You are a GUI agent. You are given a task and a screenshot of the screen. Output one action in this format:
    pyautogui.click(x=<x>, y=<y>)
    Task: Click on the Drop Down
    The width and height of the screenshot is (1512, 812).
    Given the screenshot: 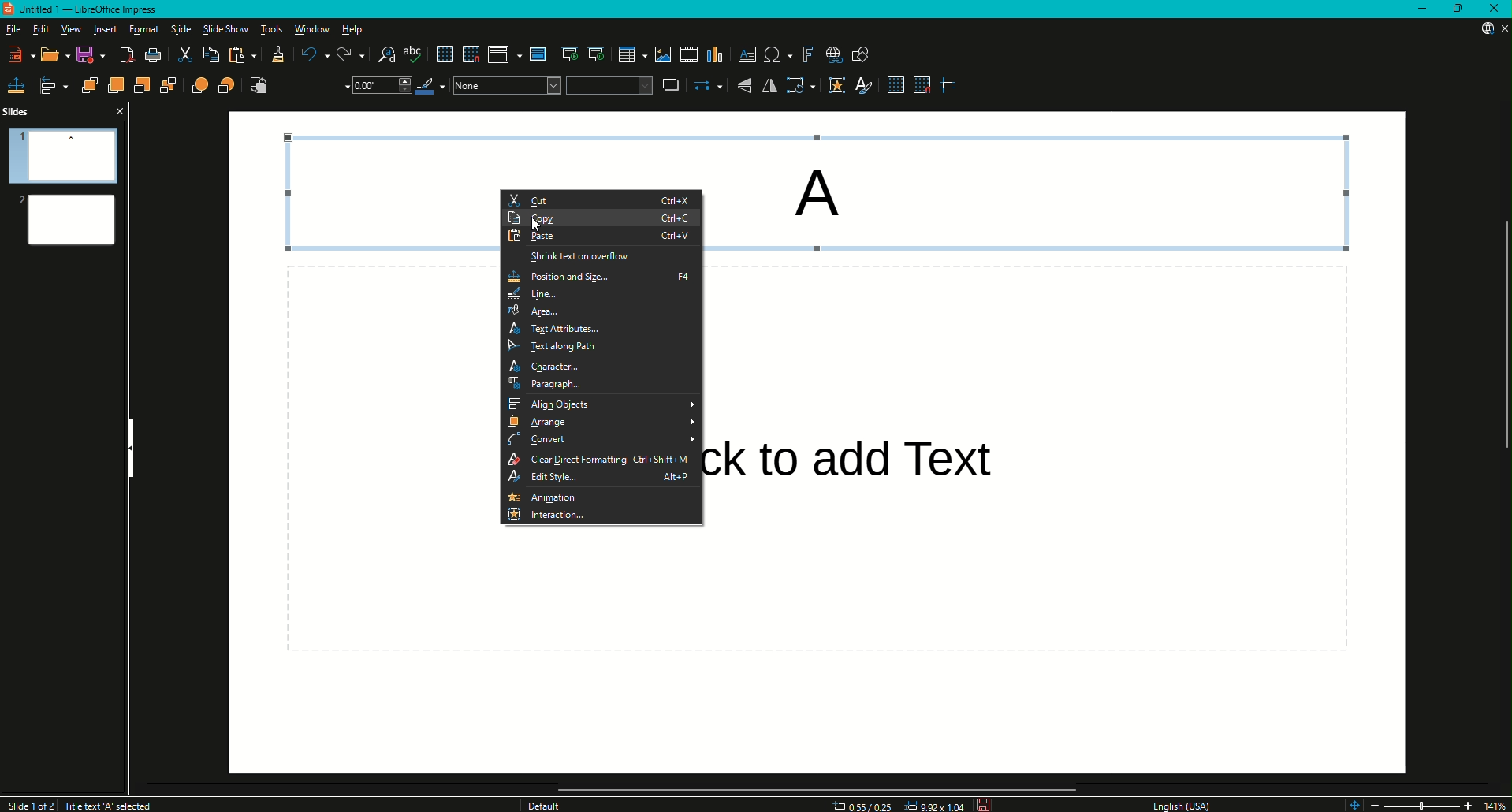 What is the action you would take?
    pyautogui.click(x=378, y=89)
    